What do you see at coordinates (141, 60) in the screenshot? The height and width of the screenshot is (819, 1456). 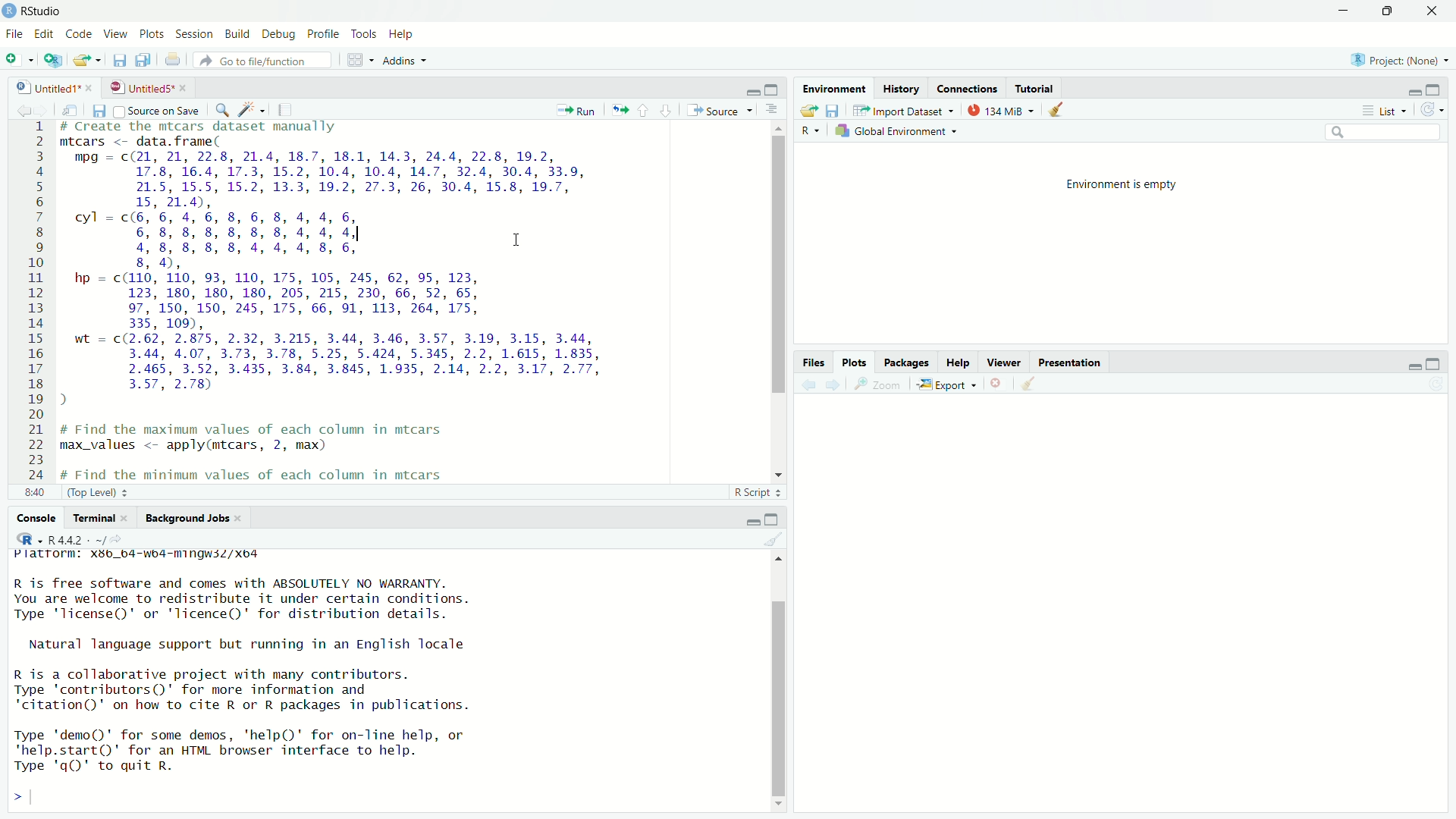 I see `copy` at bounding box center [141, 60].